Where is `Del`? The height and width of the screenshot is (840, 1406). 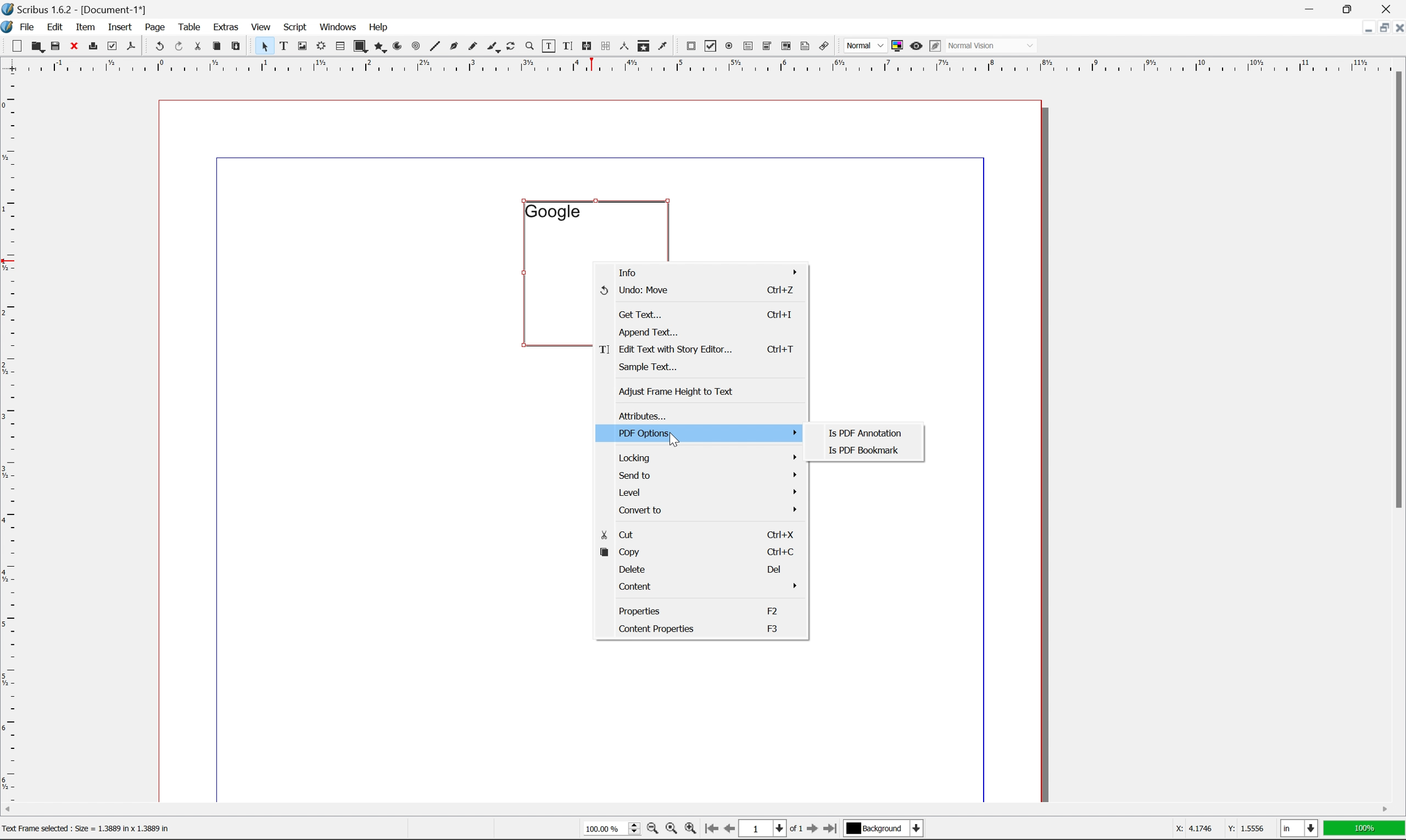
Del is located at coordinates (775, 569).